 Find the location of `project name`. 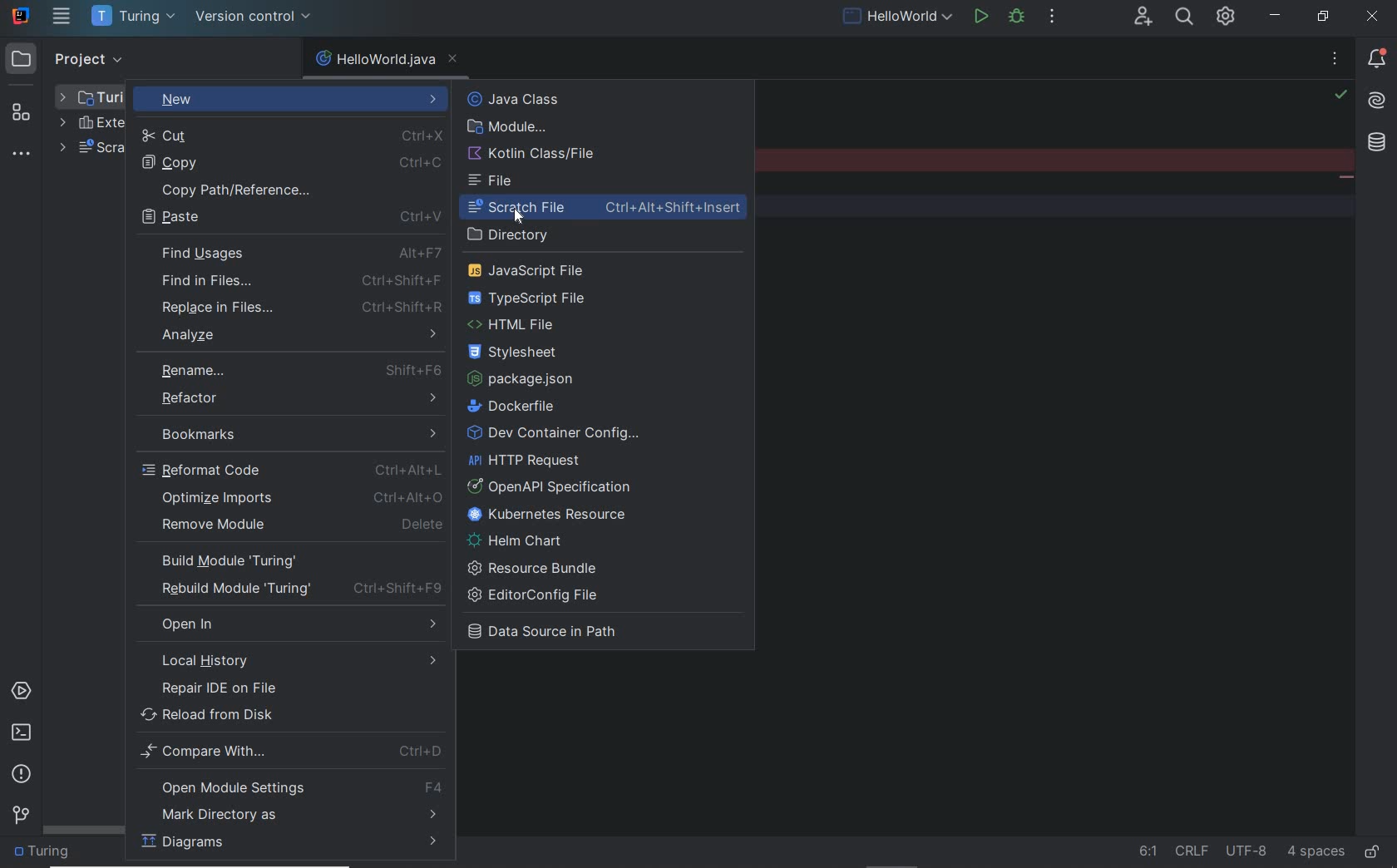

project name is located at coordinates (46, 854).